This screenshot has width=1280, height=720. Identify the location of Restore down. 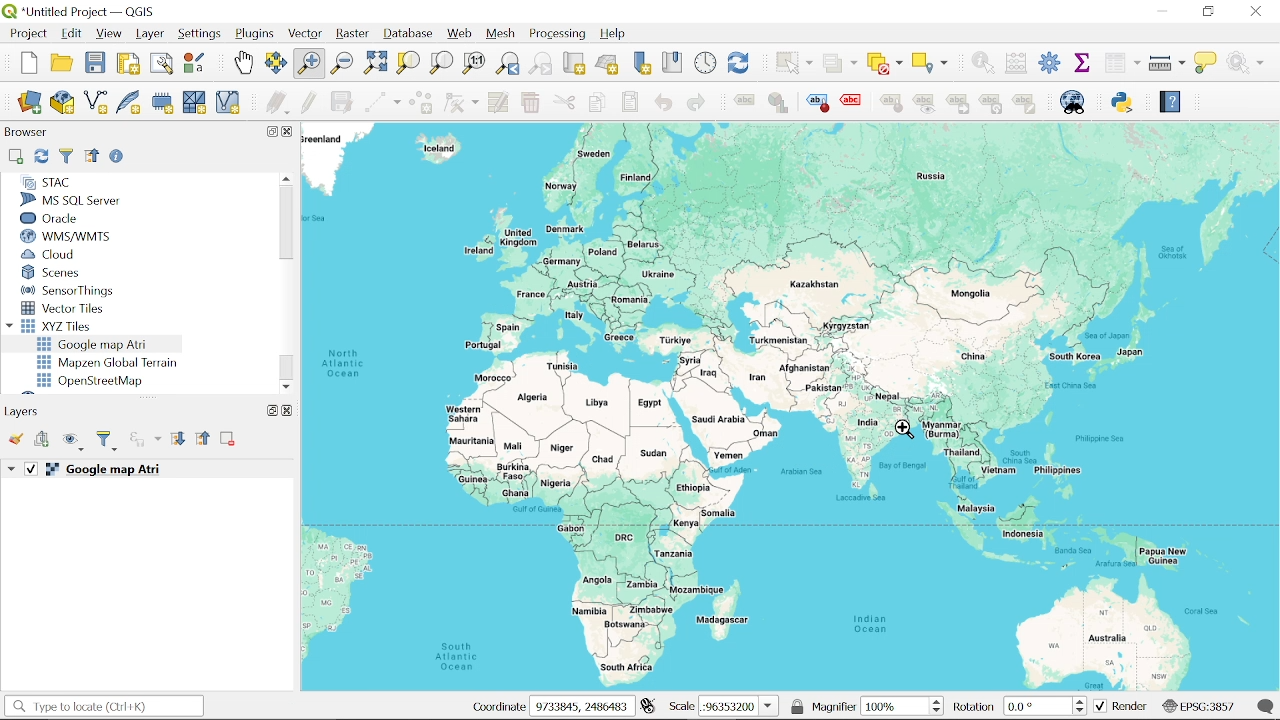
(269, 131).